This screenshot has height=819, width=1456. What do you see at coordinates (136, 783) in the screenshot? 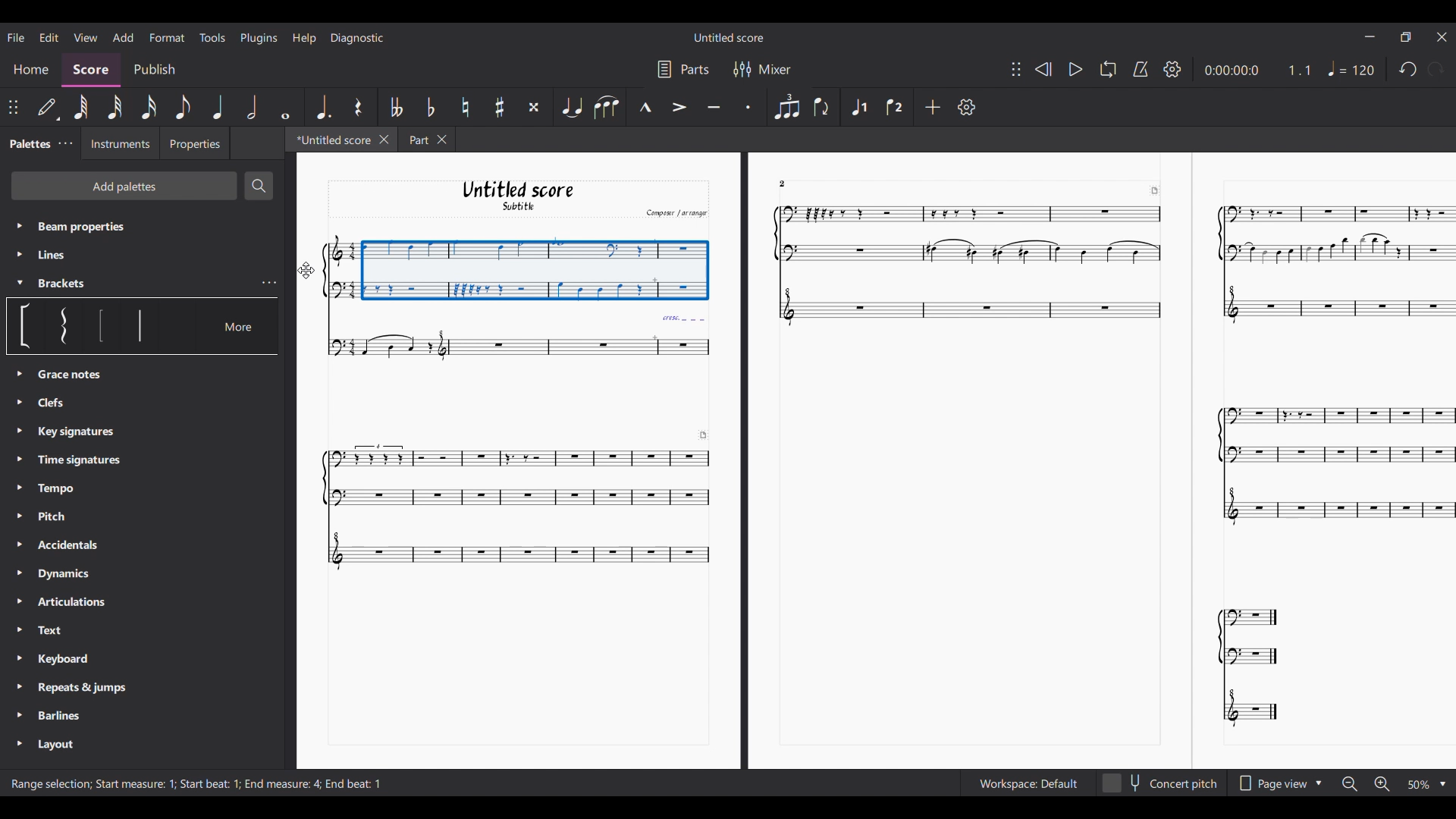
I see `start measure 1 ;` at bounding box center [136, 783].